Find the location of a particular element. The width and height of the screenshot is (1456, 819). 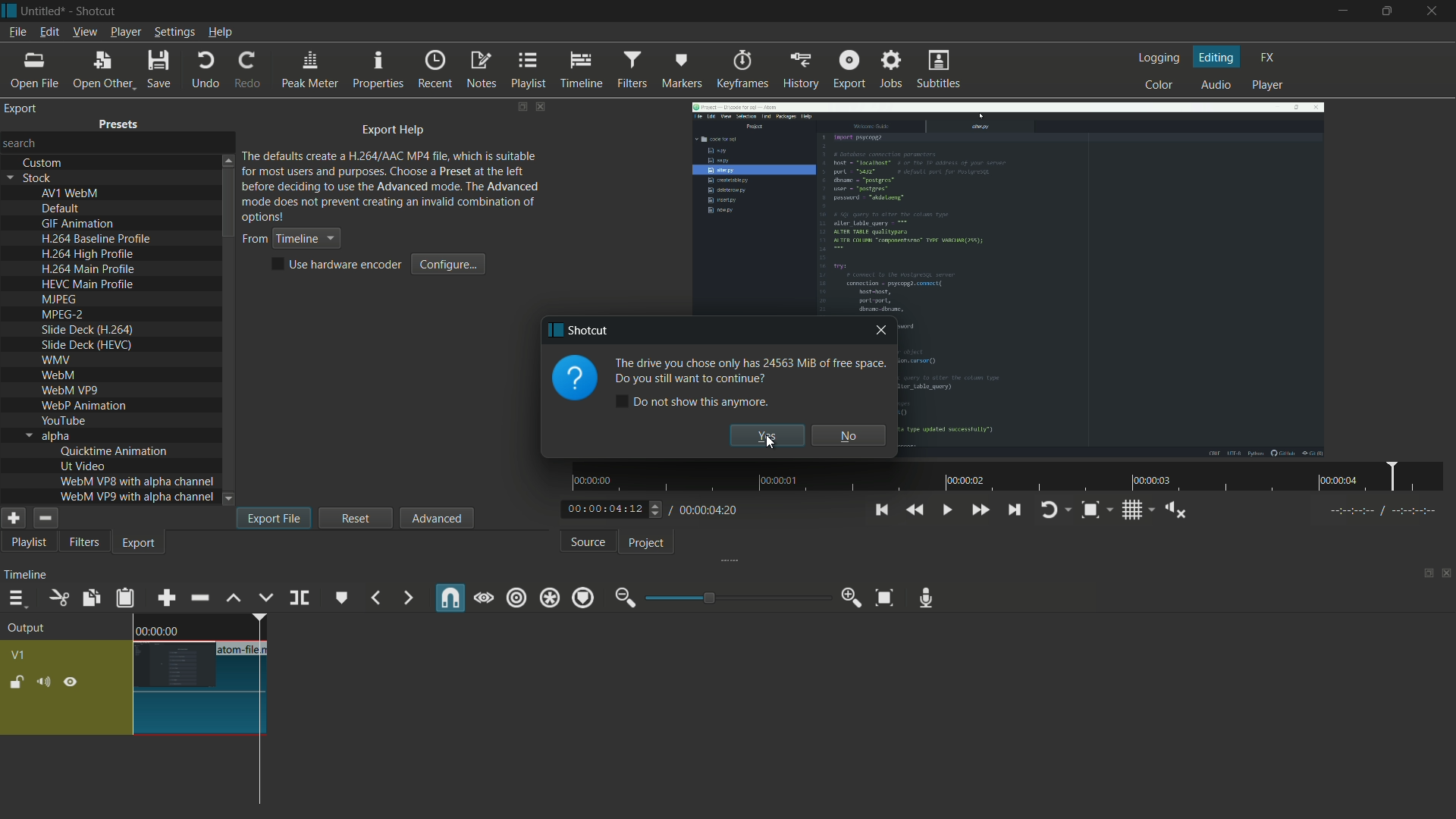

ripple all tracks is located at coordinates (549, 598).